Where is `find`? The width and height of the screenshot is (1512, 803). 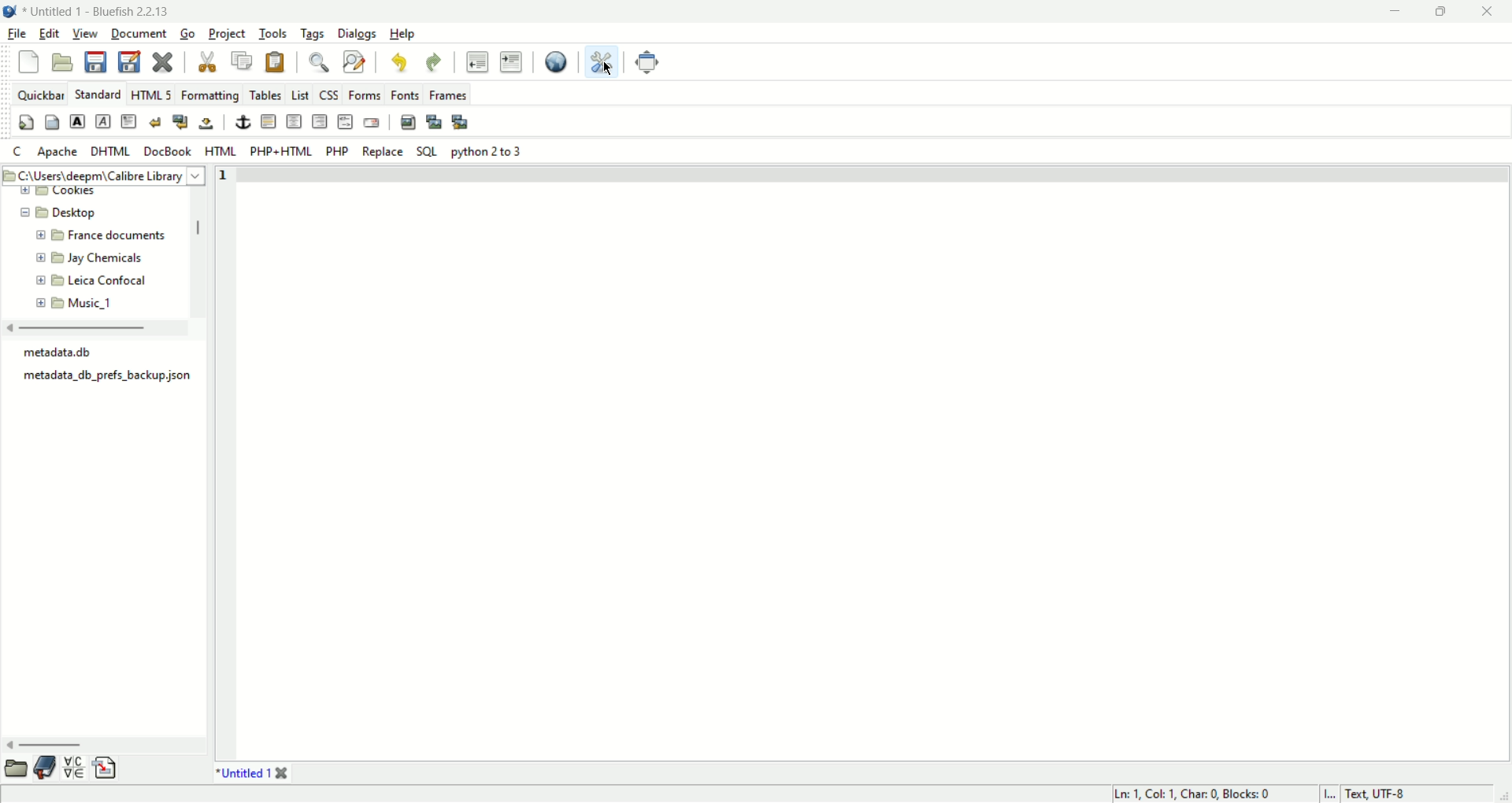 find is located at coordinates (321, 64).